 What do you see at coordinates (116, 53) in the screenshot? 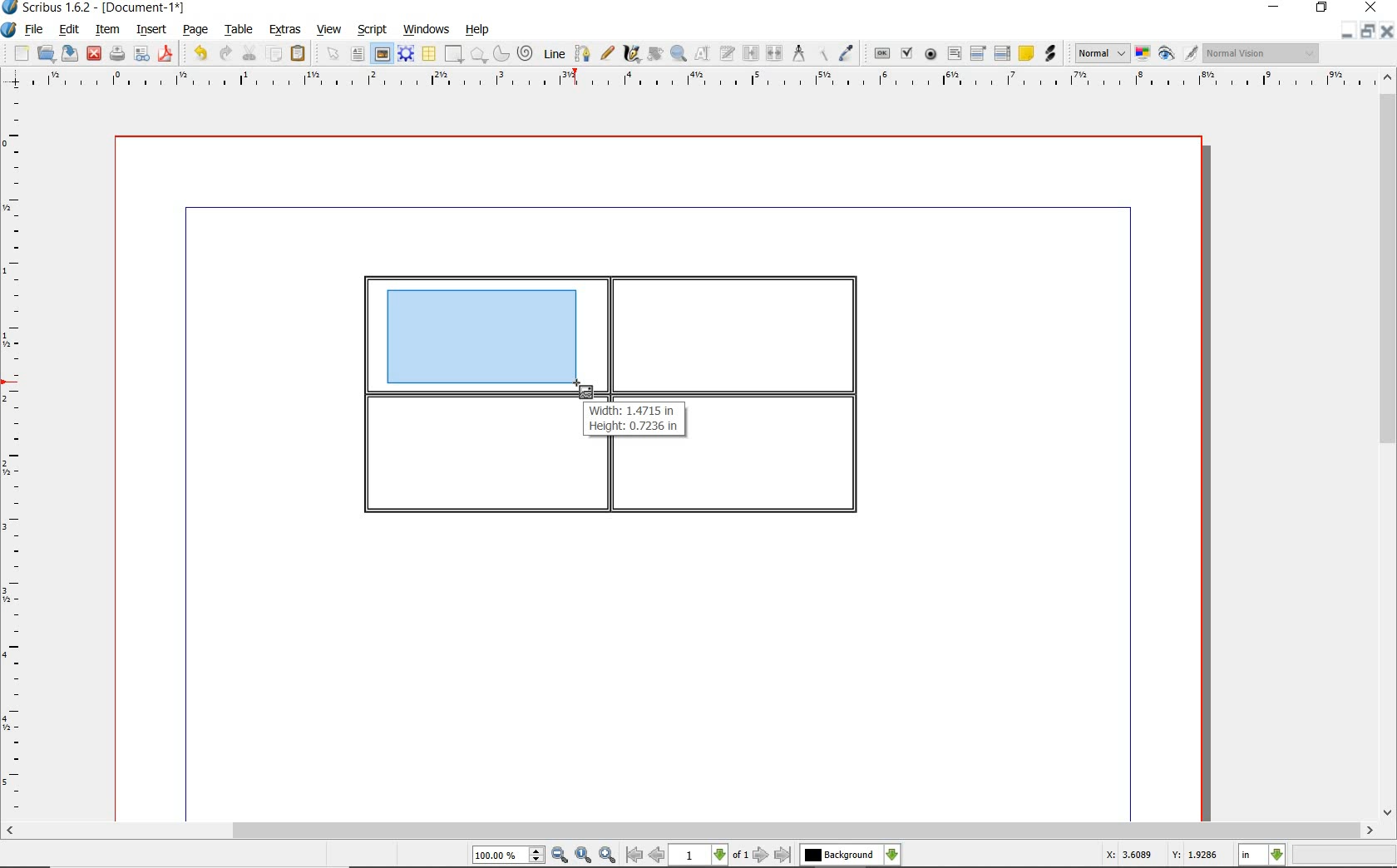
I see `print` at bounding box center [116, 53].